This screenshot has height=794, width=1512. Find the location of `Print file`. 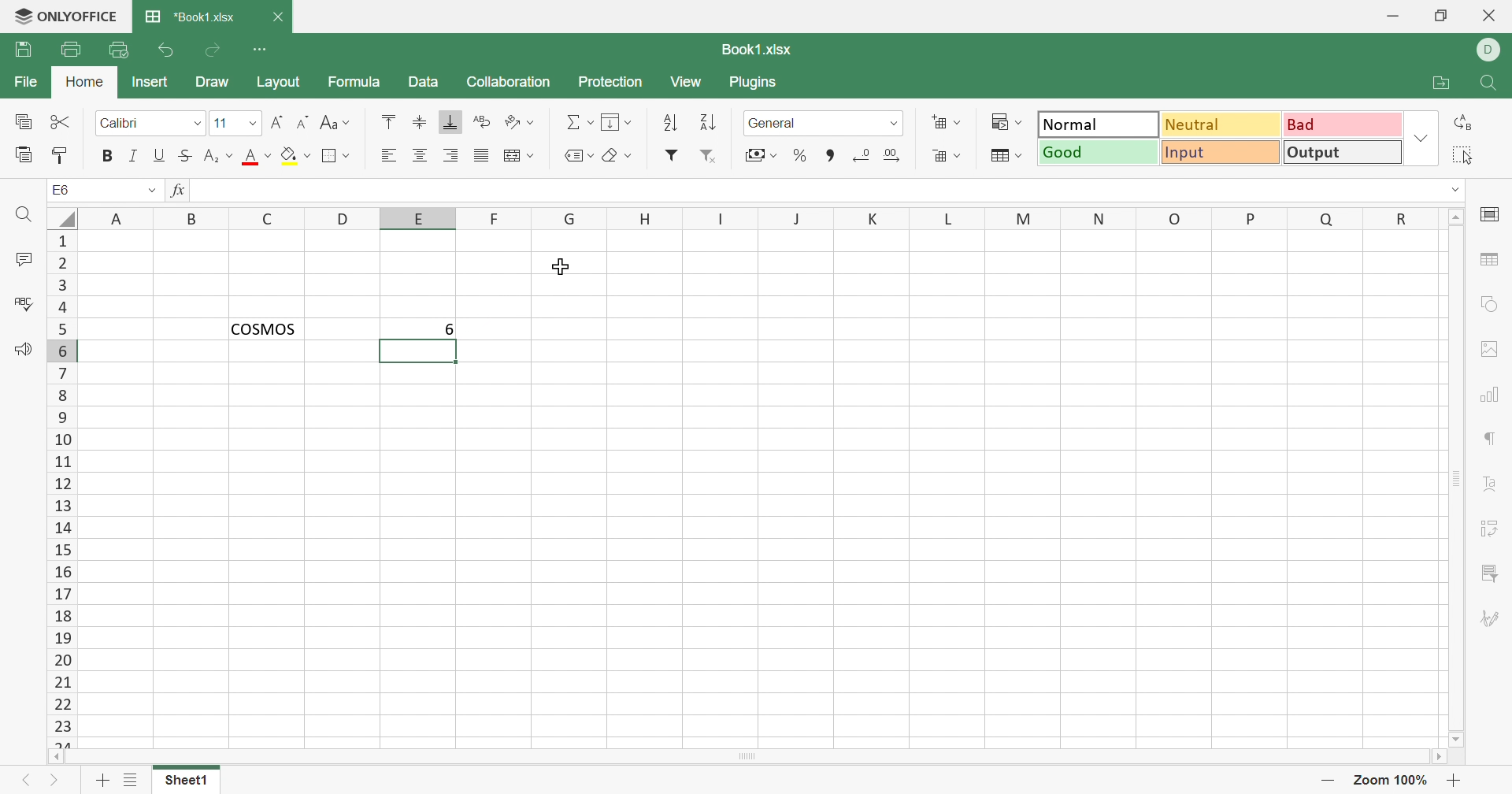

Print file is located at coordinates (72, 49).